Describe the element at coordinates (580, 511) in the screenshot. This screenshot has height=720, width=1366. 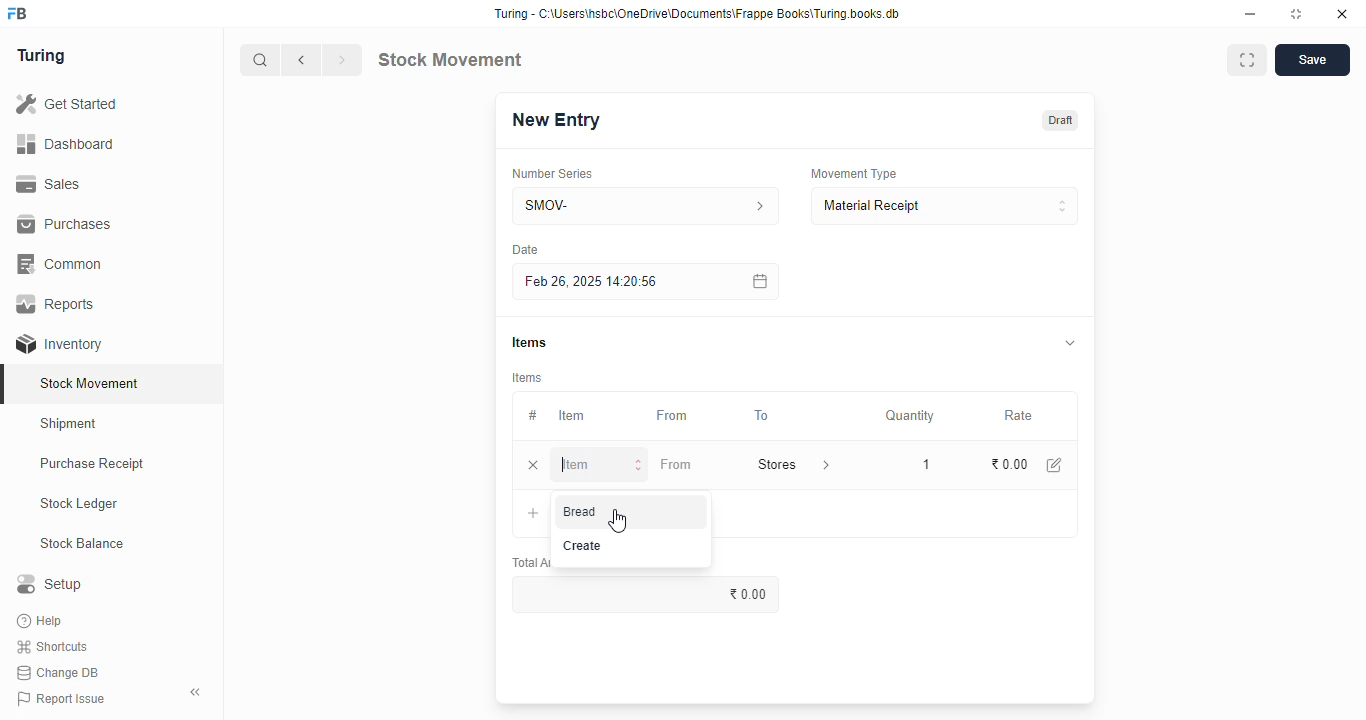
I see `bread` at that location.